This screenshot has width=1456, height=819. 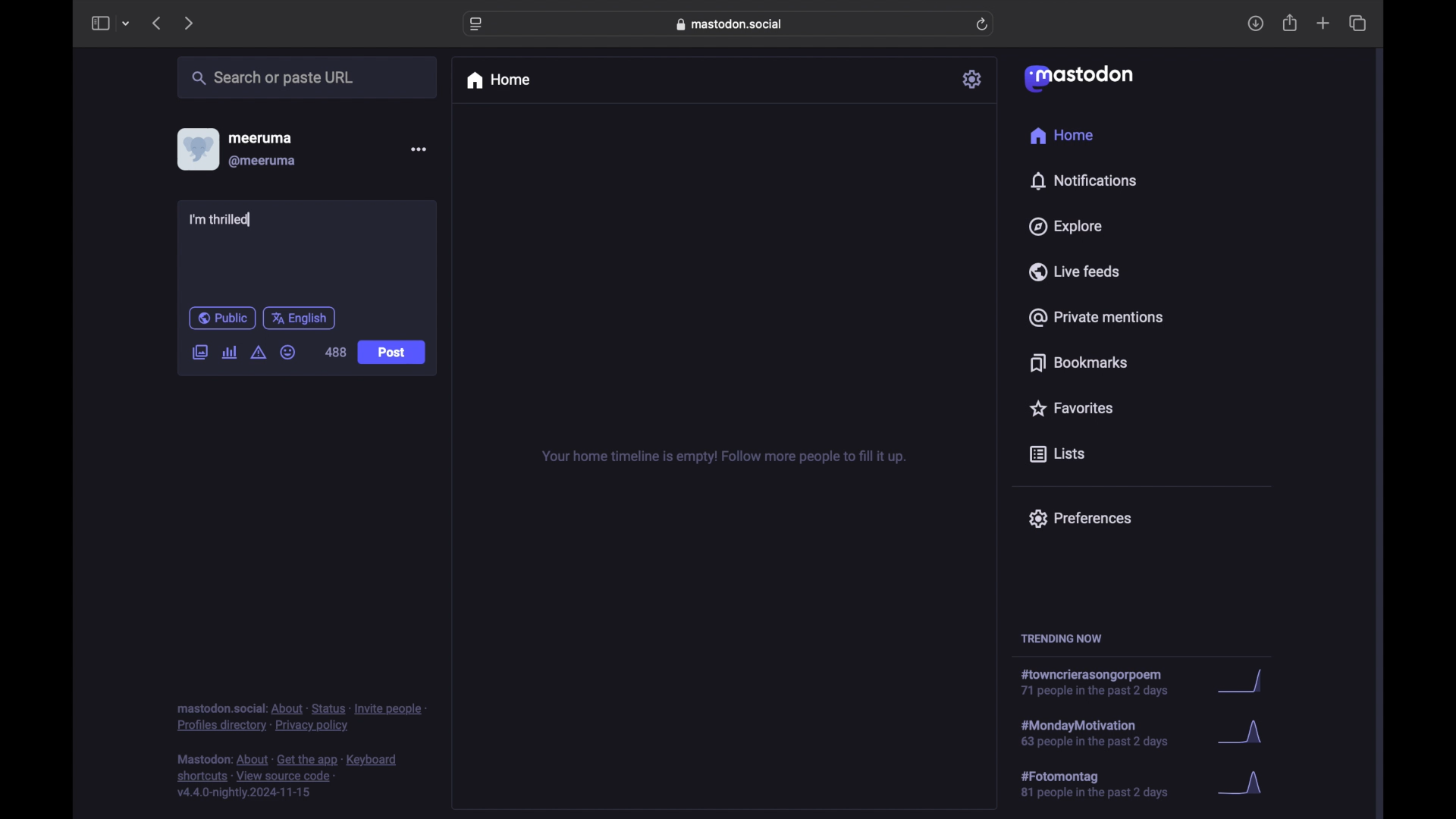 I want to click on bookmarks, so click(x=1081, y=362).